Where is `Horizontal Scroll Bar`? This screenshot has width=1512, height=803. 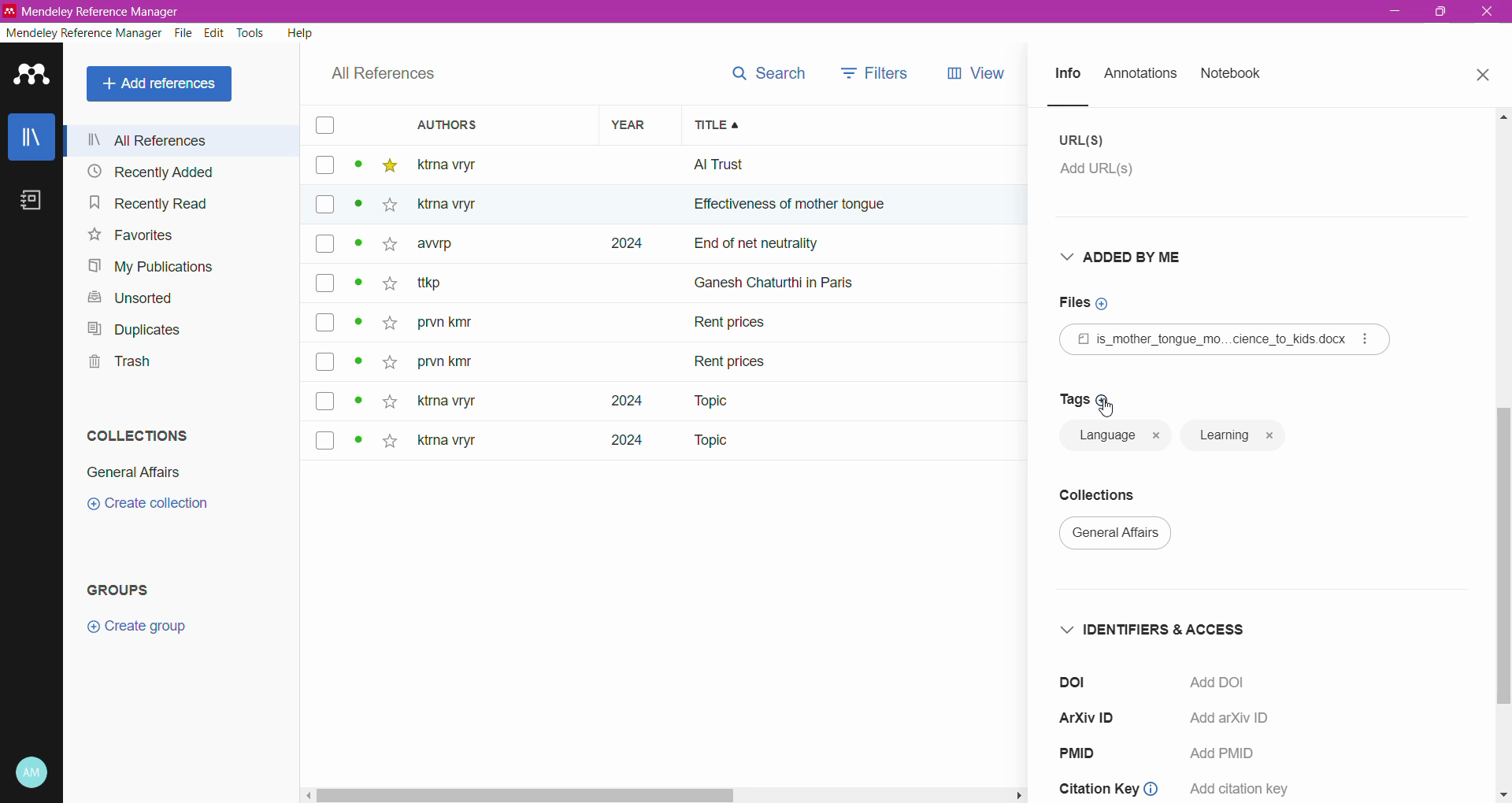 Horizontal Scroll Bar is located at coordinates (906, 797).